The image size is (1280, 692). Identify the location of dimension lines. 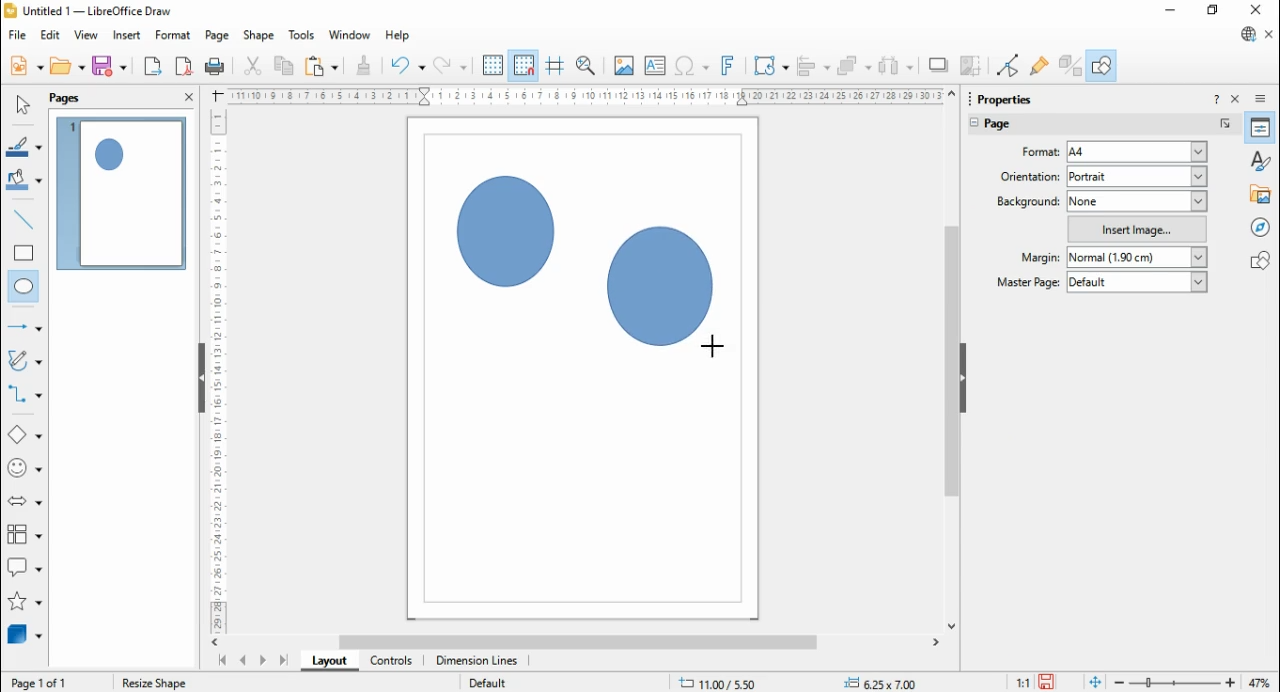
(478, 661).